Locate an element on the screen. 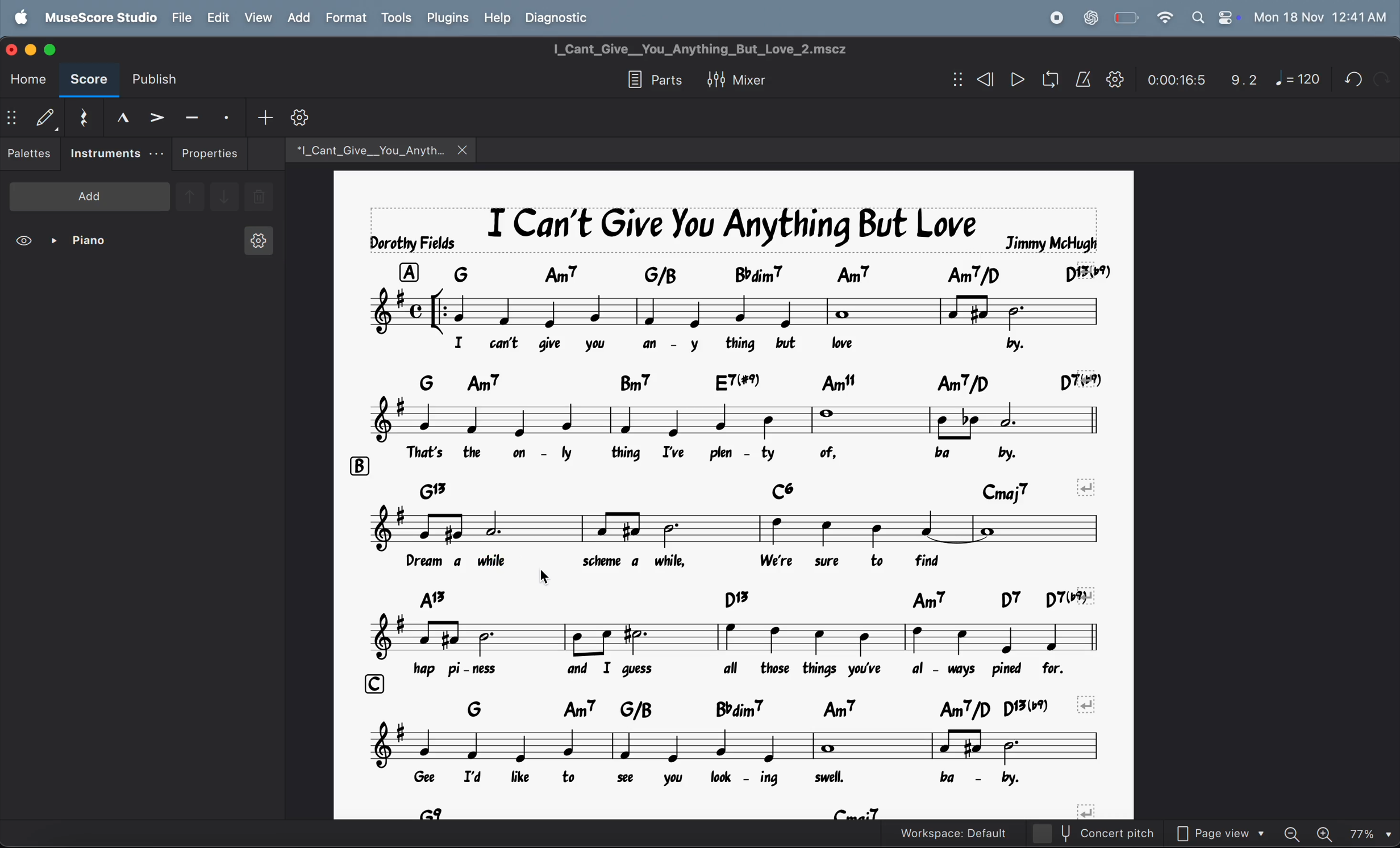 The height and width of the screenshot is (848, 1400). chord symbols is located at coordinates (772, 709).